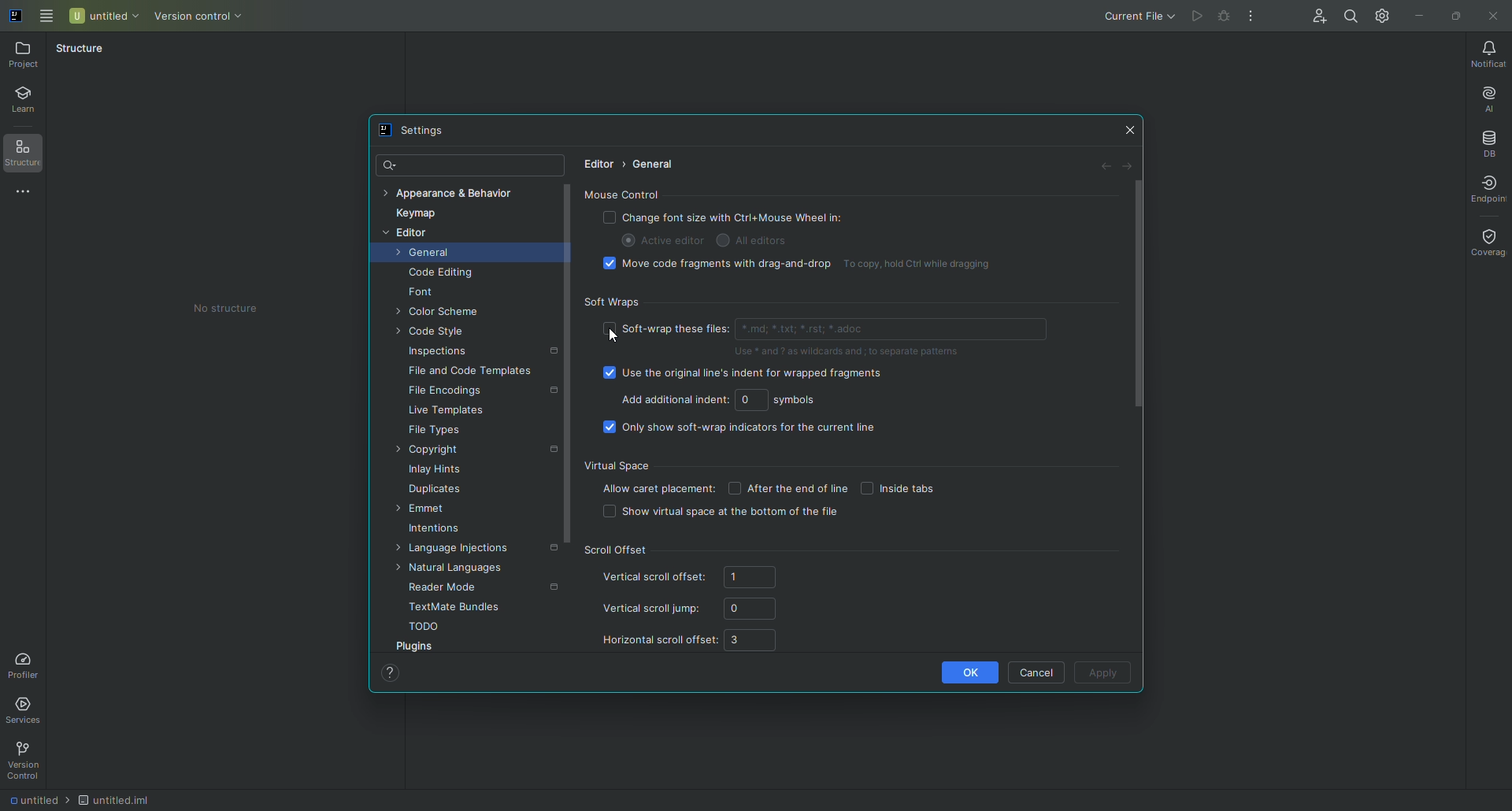 The width and height of the screenshot is (1512, 811). What do you see at coordinates (614, 340) in the screenshot?
I see `Pointer` at bounding box center [614, 340].